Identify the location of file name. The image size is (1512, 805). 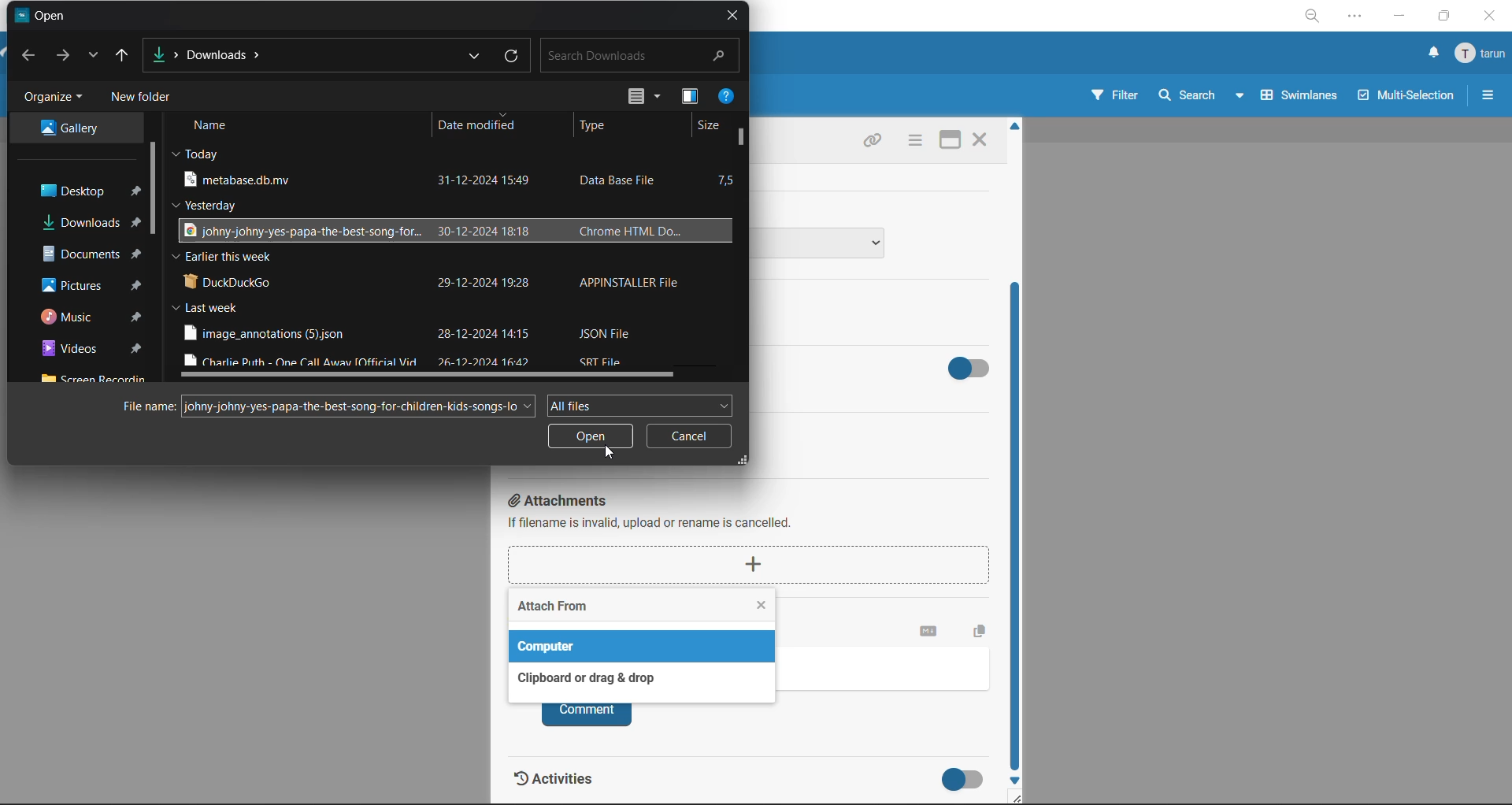
(150, 406).